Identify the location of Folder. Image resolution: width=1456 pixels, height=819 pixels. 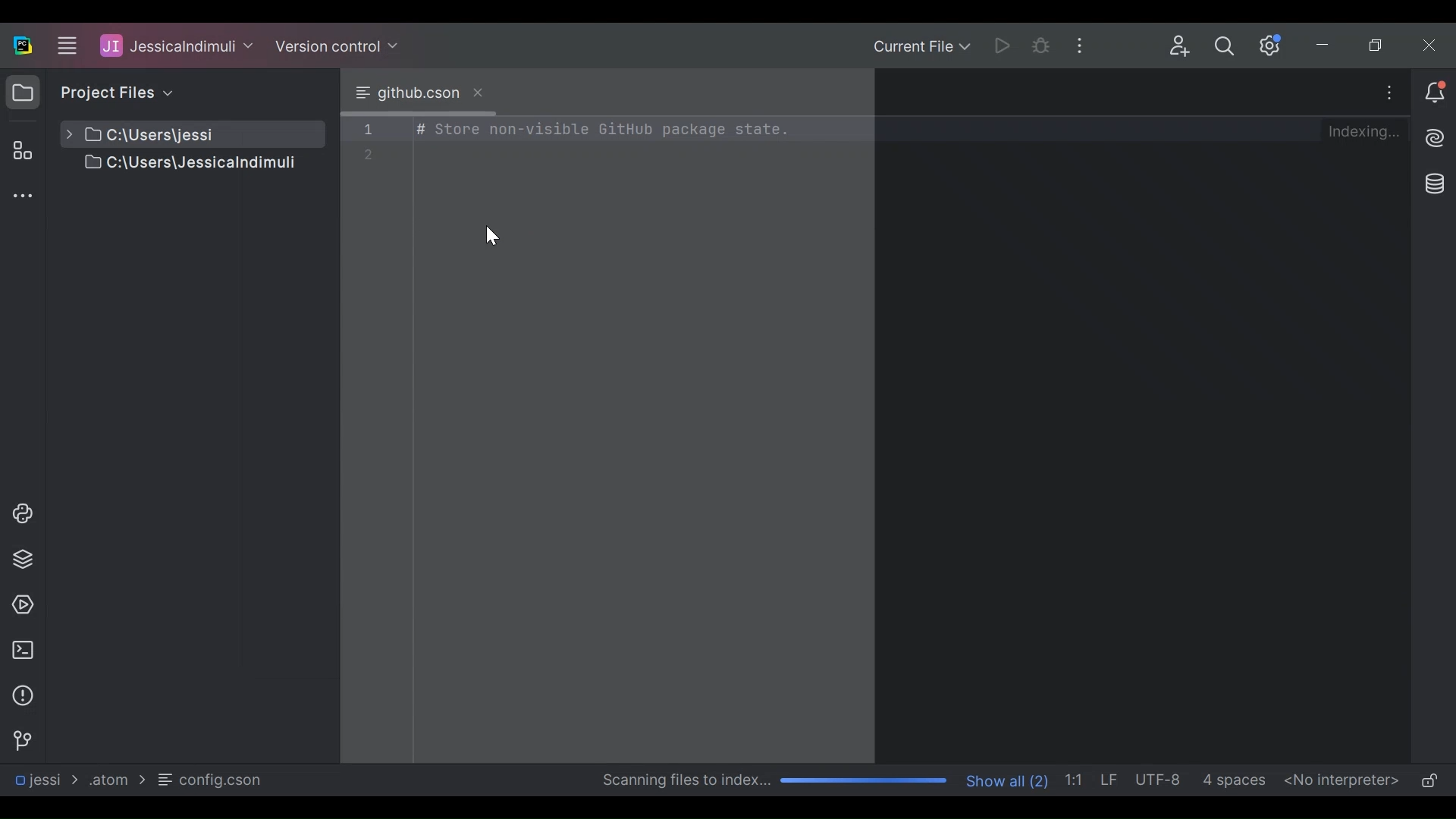
(115, 779).